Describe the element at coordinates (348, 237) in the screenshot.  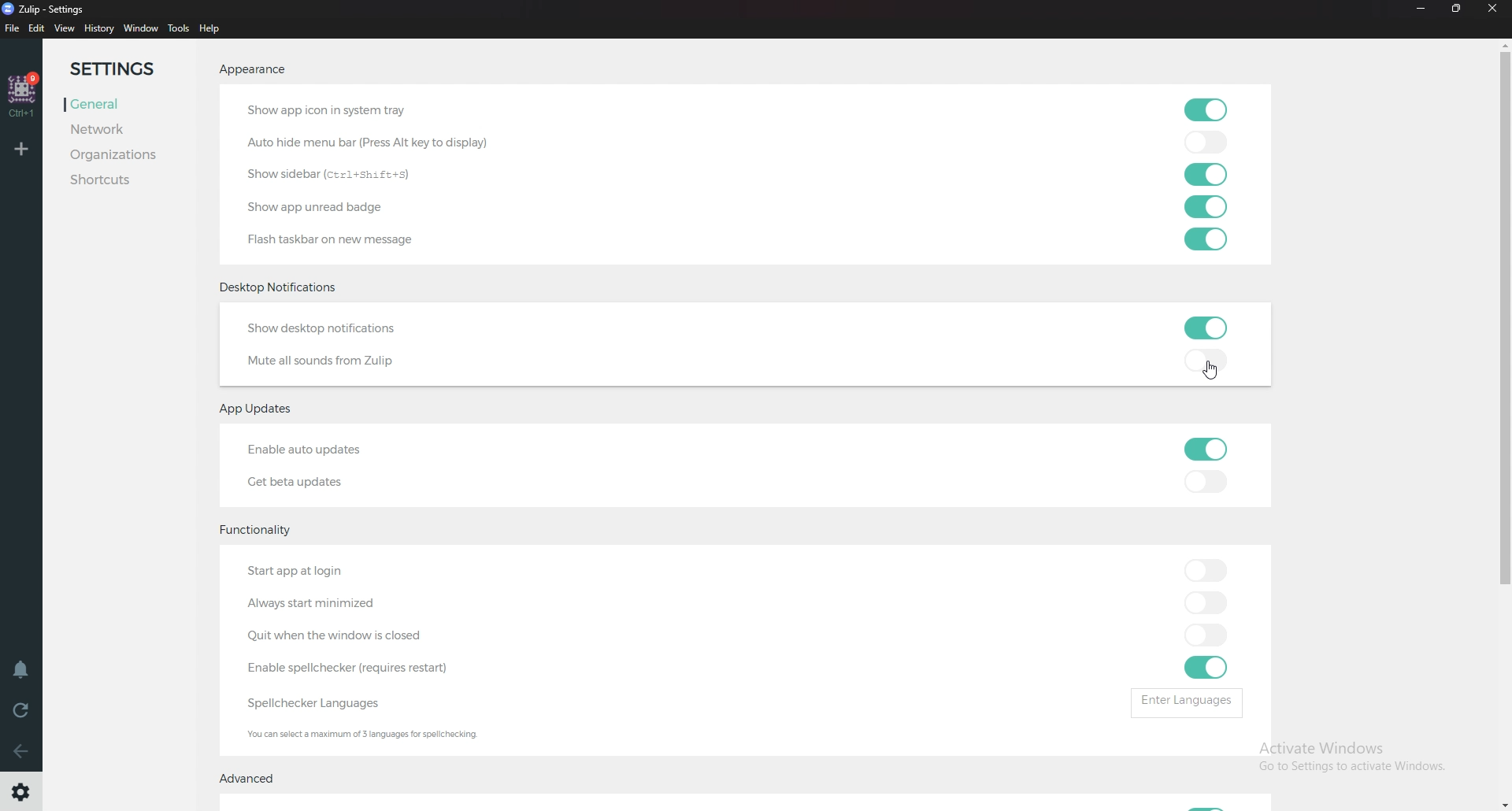
I see `flash taskbar on new message` at that location.